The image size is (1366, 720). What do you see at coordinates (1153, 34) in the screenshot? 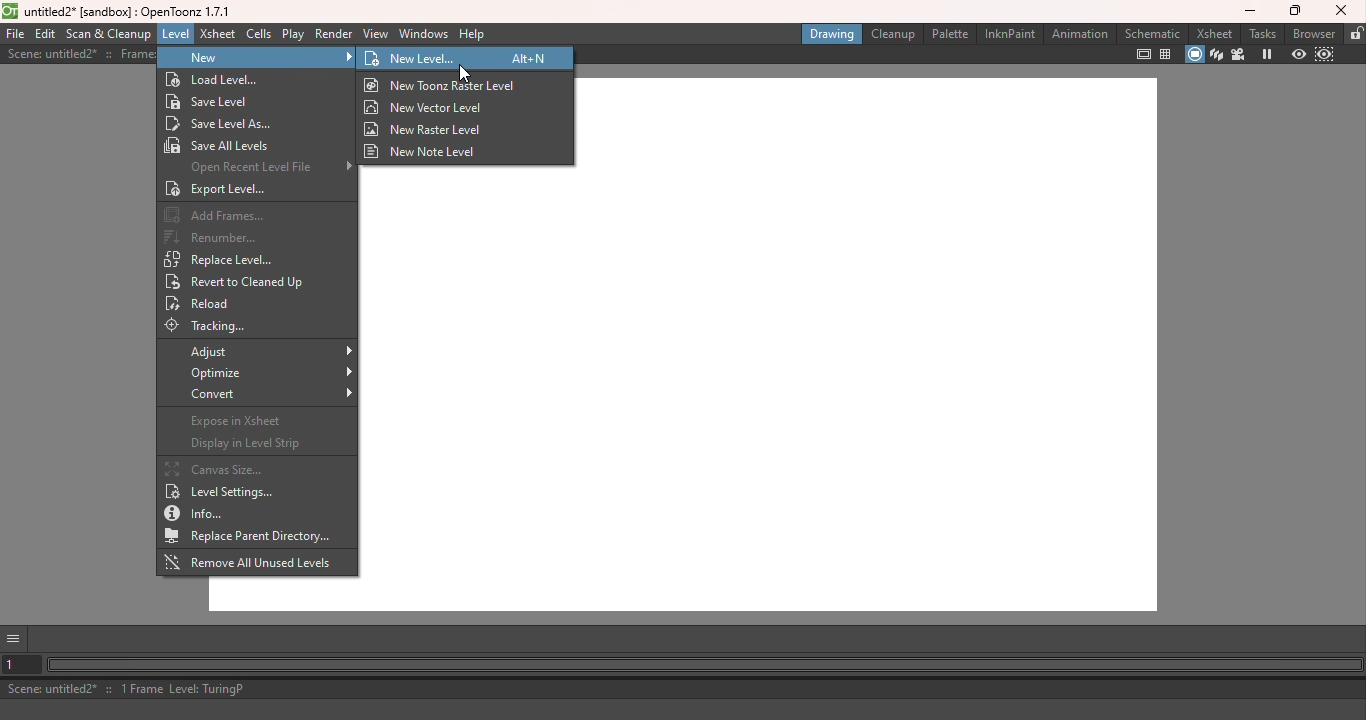
I see `Schematic` at bounding box center [1153, 34].